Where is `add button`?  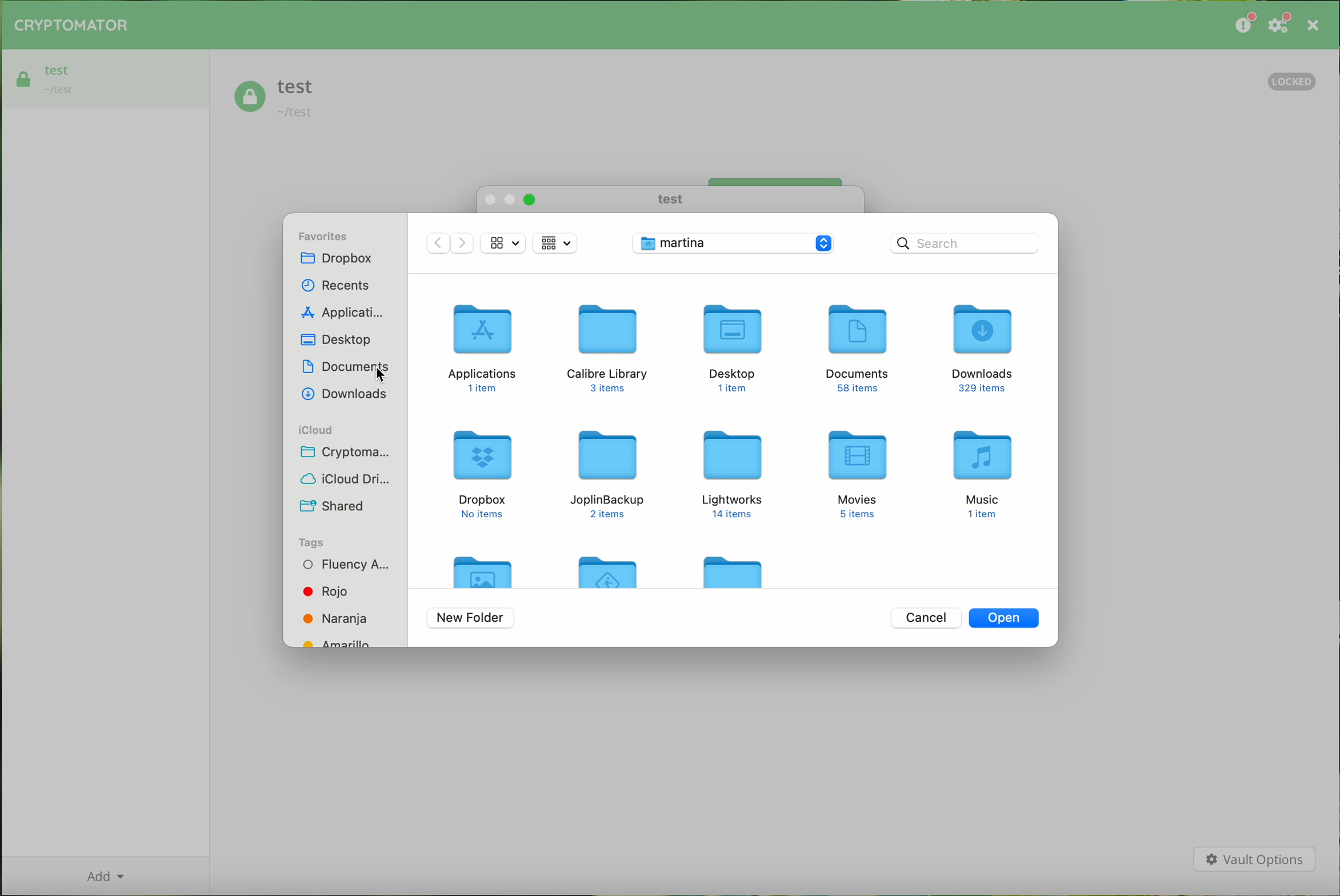
add button is located at coordinates (105, 875).